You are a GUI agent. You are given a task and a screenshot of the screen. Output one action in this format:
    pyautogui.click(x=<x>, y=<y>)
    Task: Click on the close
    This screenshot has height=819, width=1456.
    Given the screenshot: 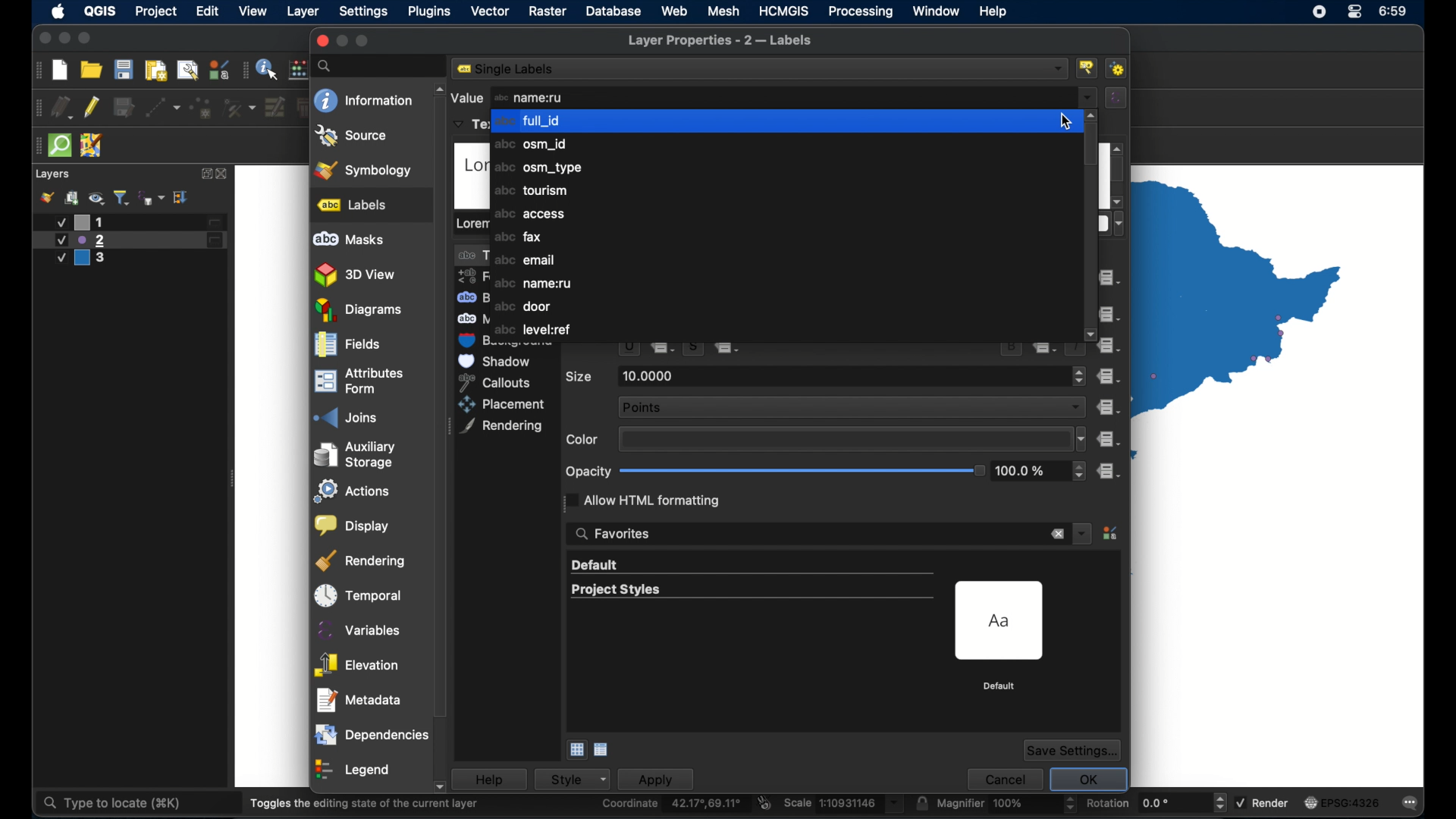 What is the action you would take?
    pyautogui.click(x=321, y=41)
    